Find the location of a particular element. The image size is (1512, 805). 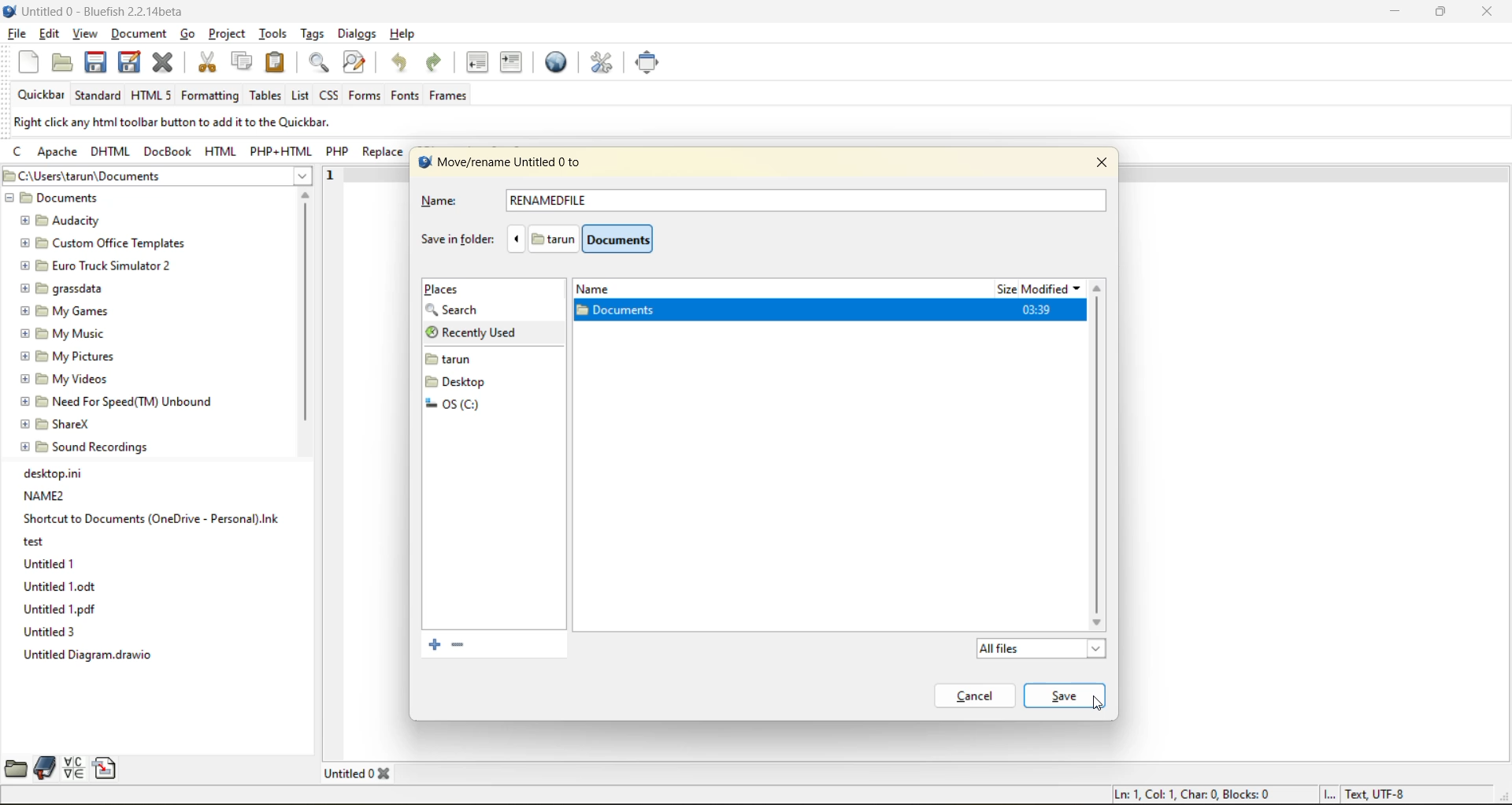

grassdata is located at coordinates (68, 287).